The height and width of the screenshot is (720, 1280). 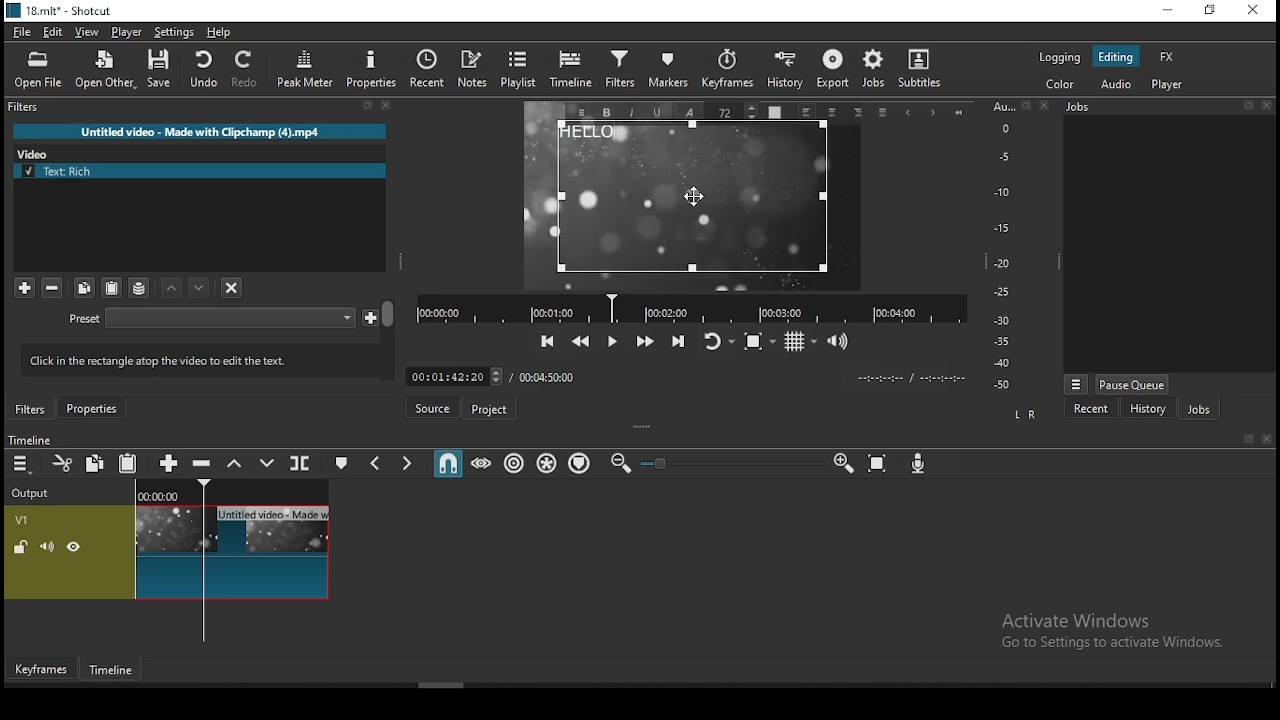 I want to click on export, so click(x=831, y=72).